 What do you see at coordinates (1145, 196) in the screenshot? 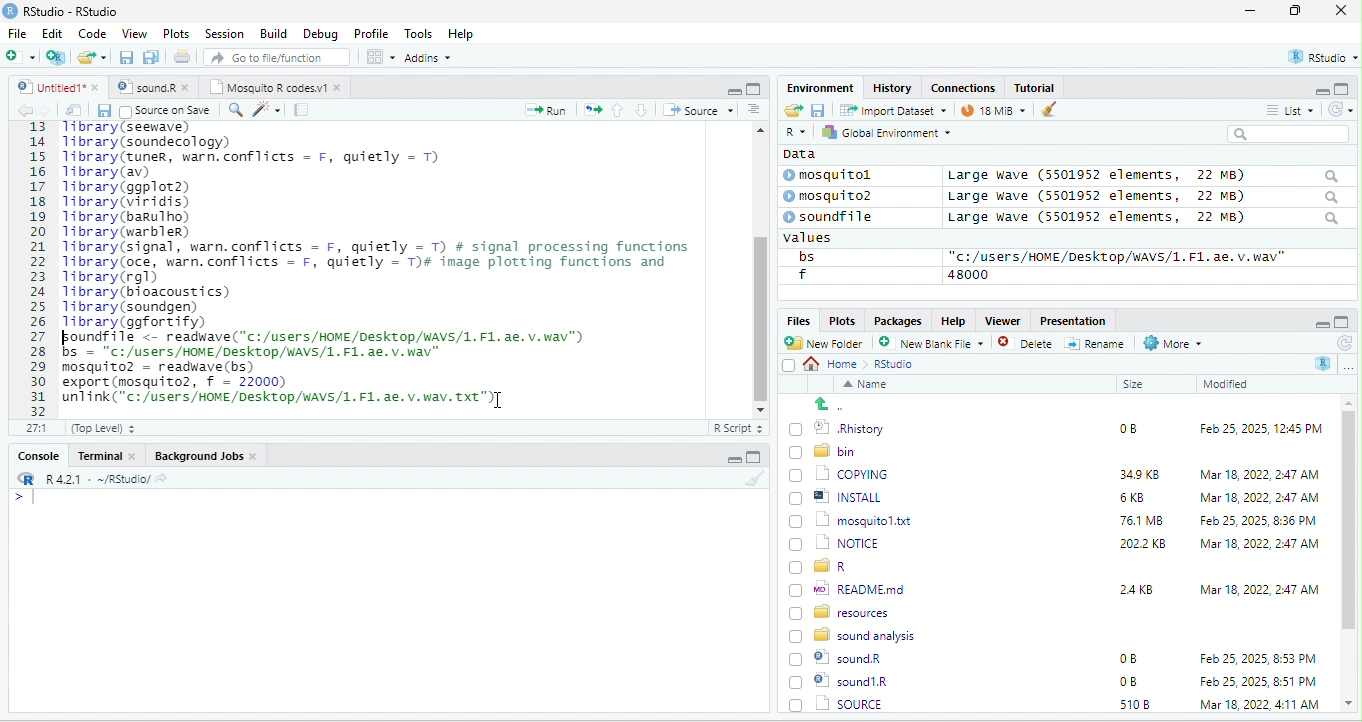
I see `Large wave (550139372 elements, JZ MB)` at bounding box center [1145, 196].